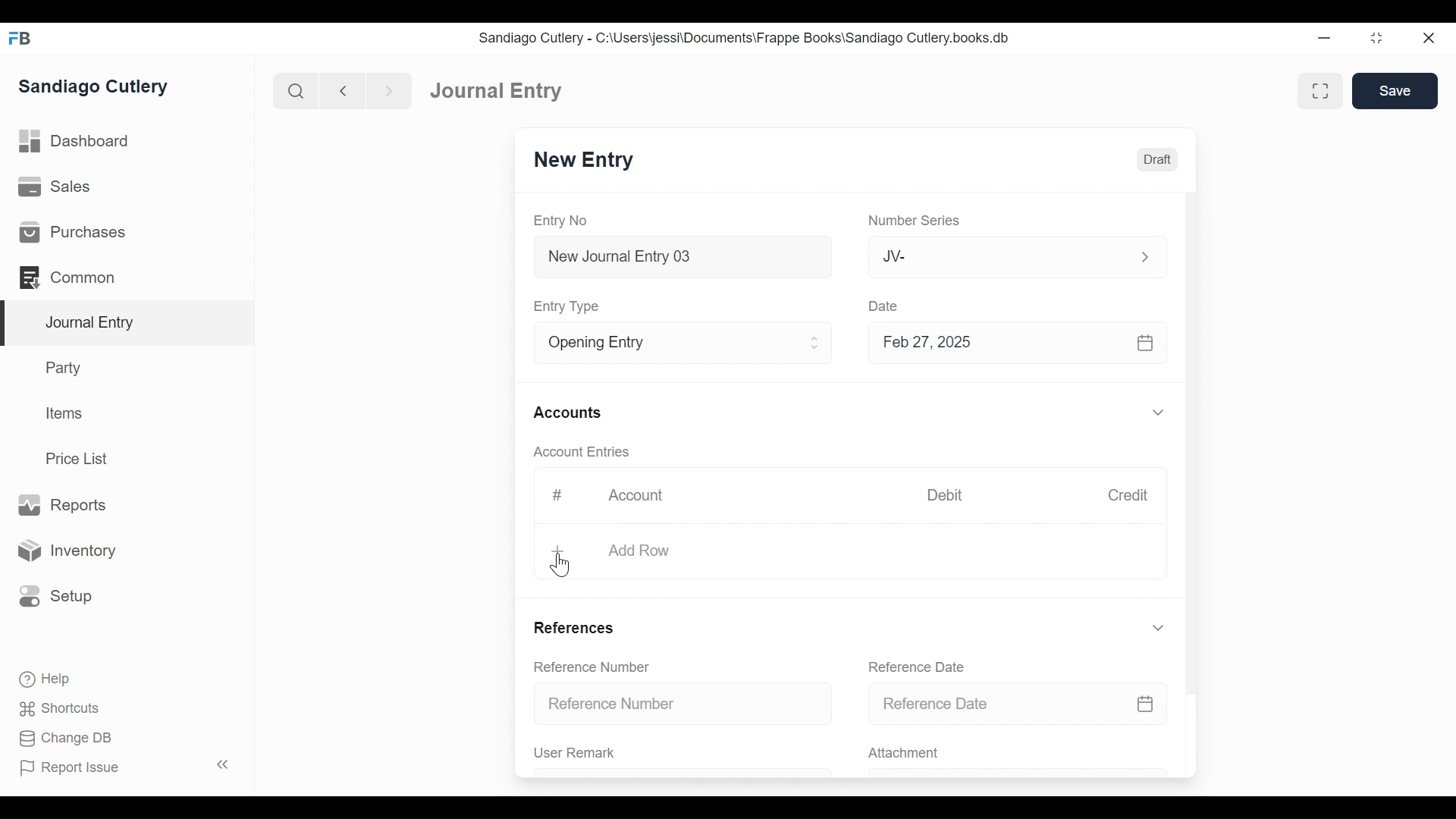 Image resolution: width=1456 pixels, height=819 pixels. I want to click on Inventory, so click(65, 550).